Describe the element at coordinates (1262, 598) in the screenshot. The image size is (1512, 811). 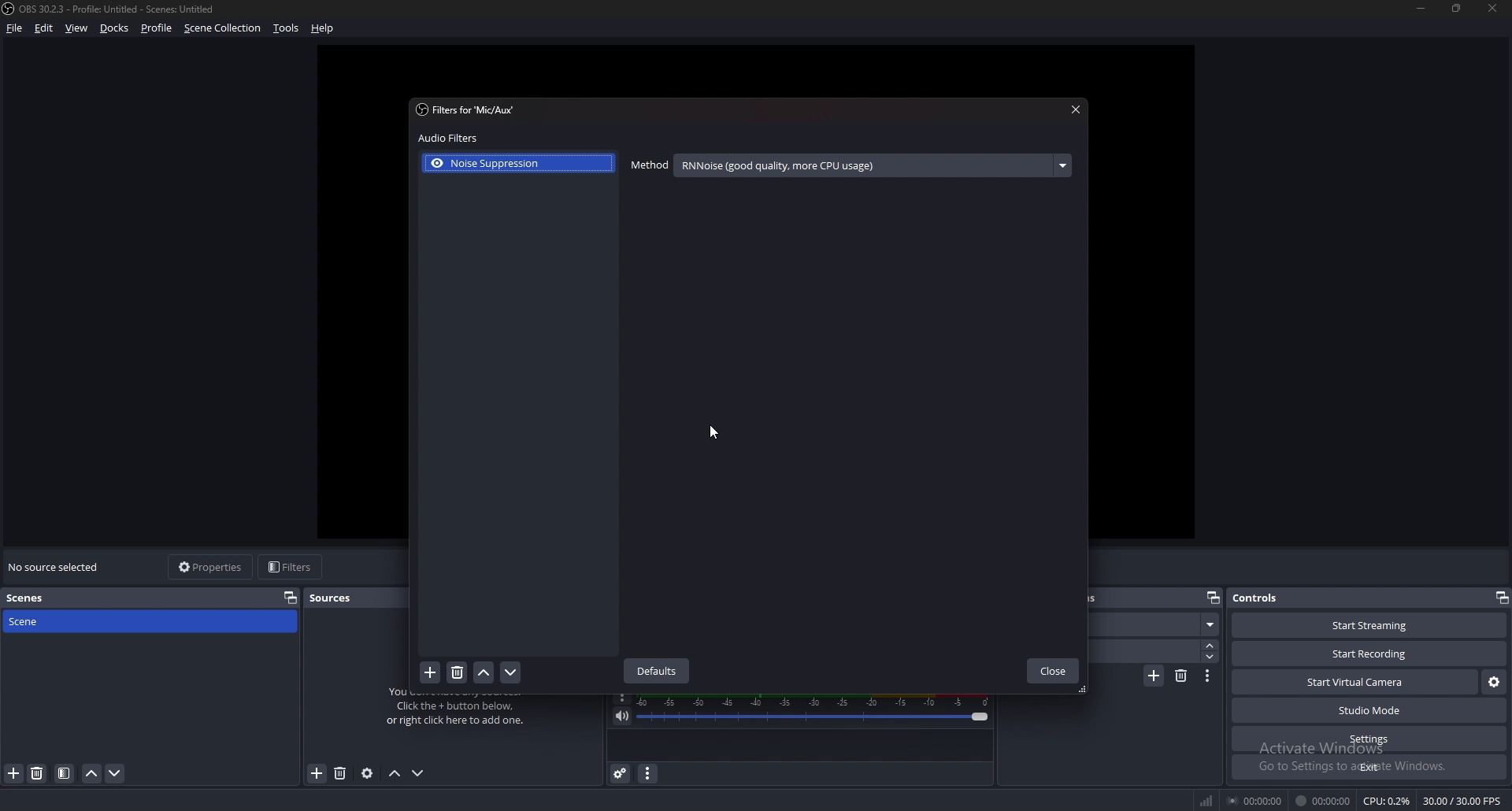
I see `controls` at that location.